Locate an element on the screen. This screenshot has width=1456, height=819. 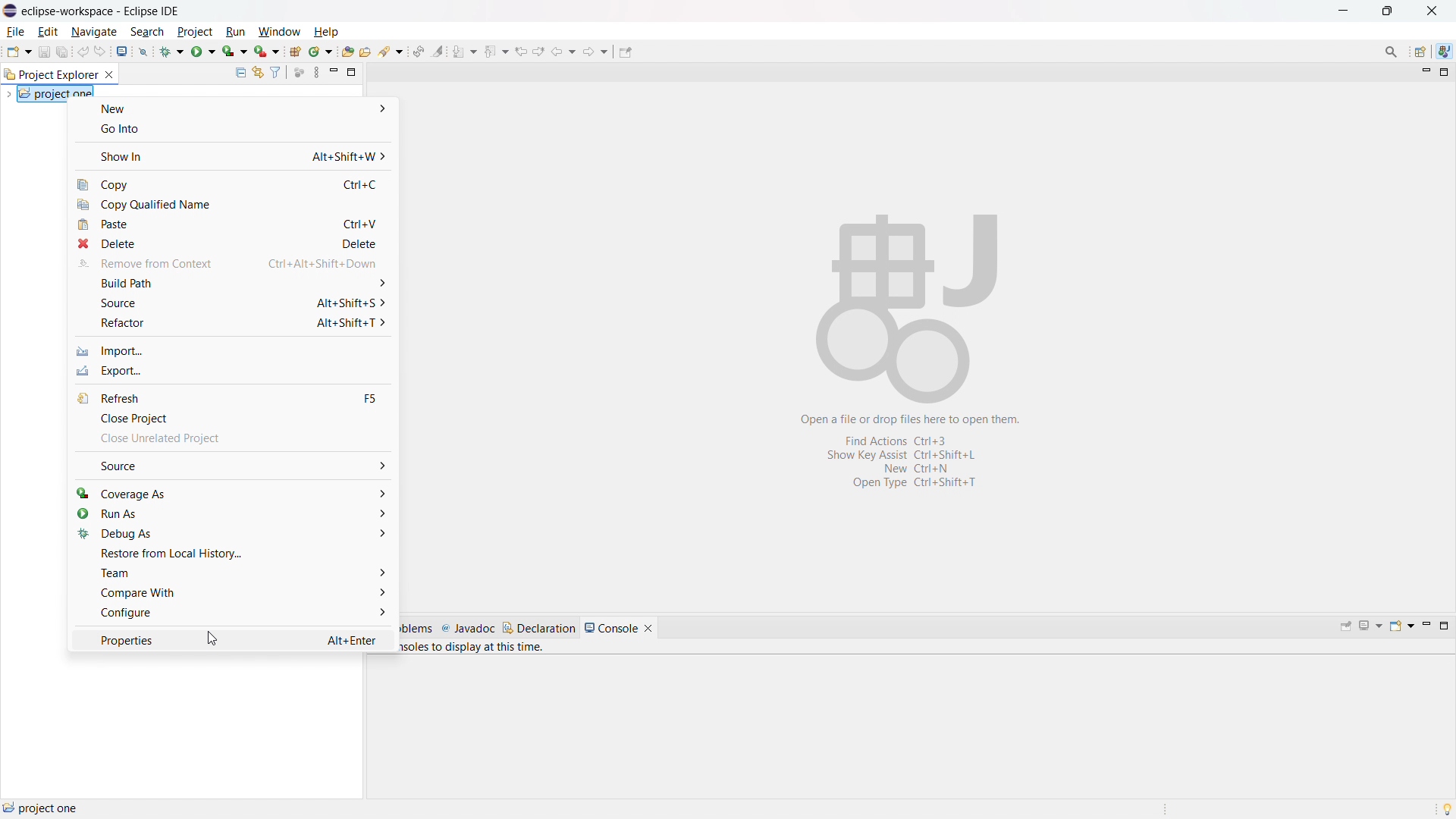
run is located at coordinates (236, 32).